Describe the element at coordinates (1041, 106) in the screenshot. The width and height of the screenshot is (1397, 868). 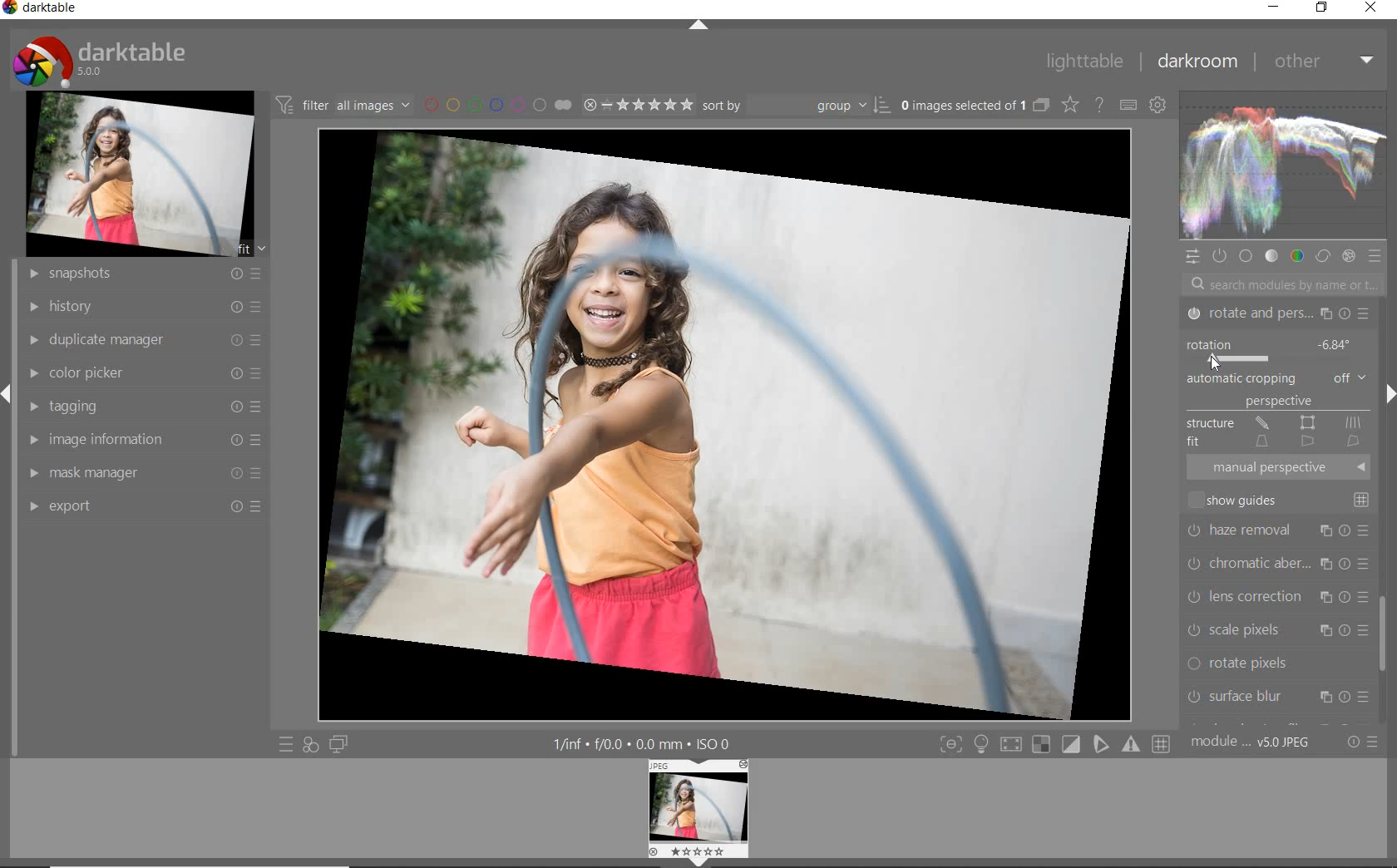
I see `collapse grouped images` at that location.